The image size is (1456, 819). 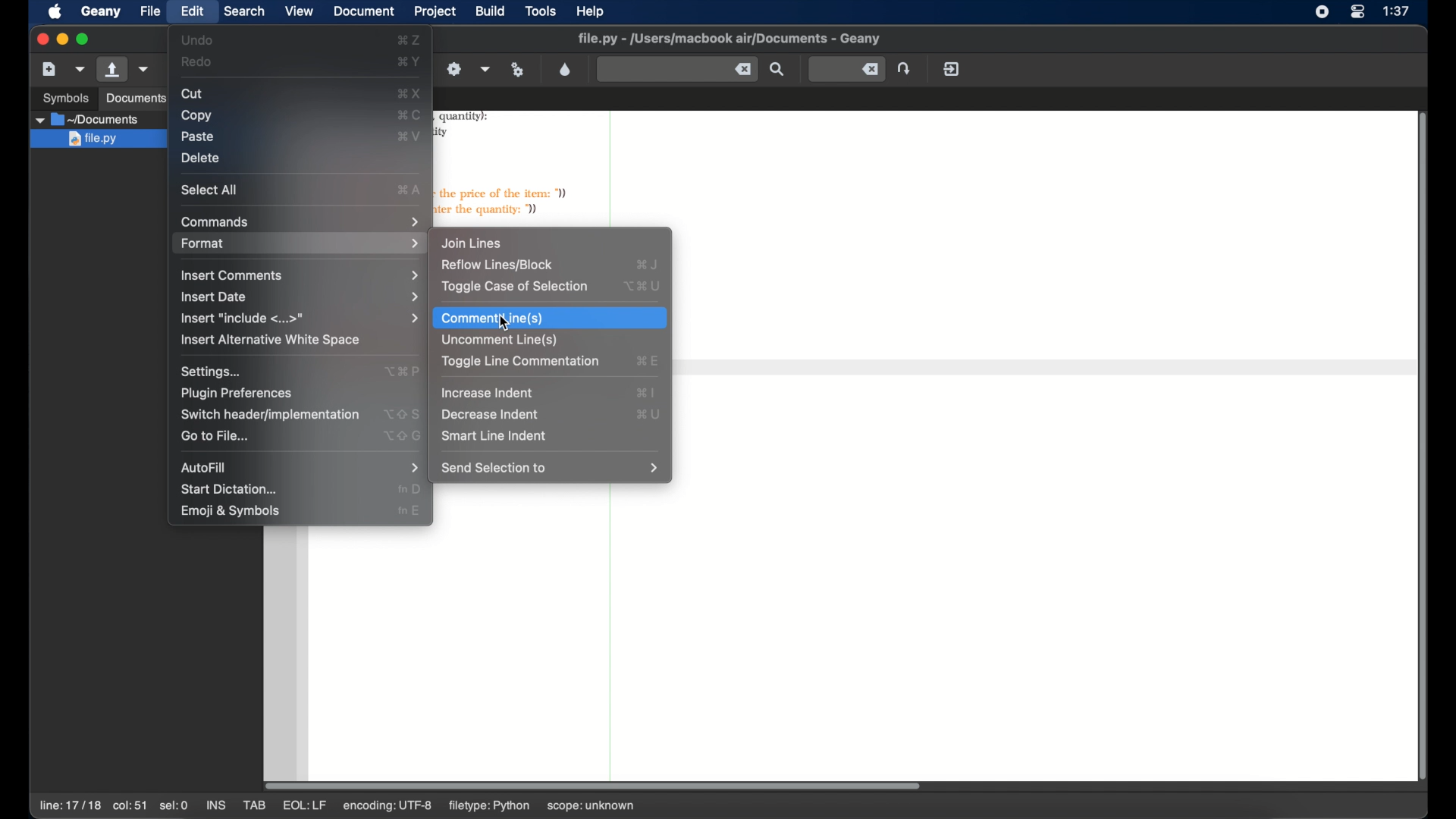 What do you see at coordinates (507, 325) in the screenshot?
I see `cursor` at bounding box center [507, 325].